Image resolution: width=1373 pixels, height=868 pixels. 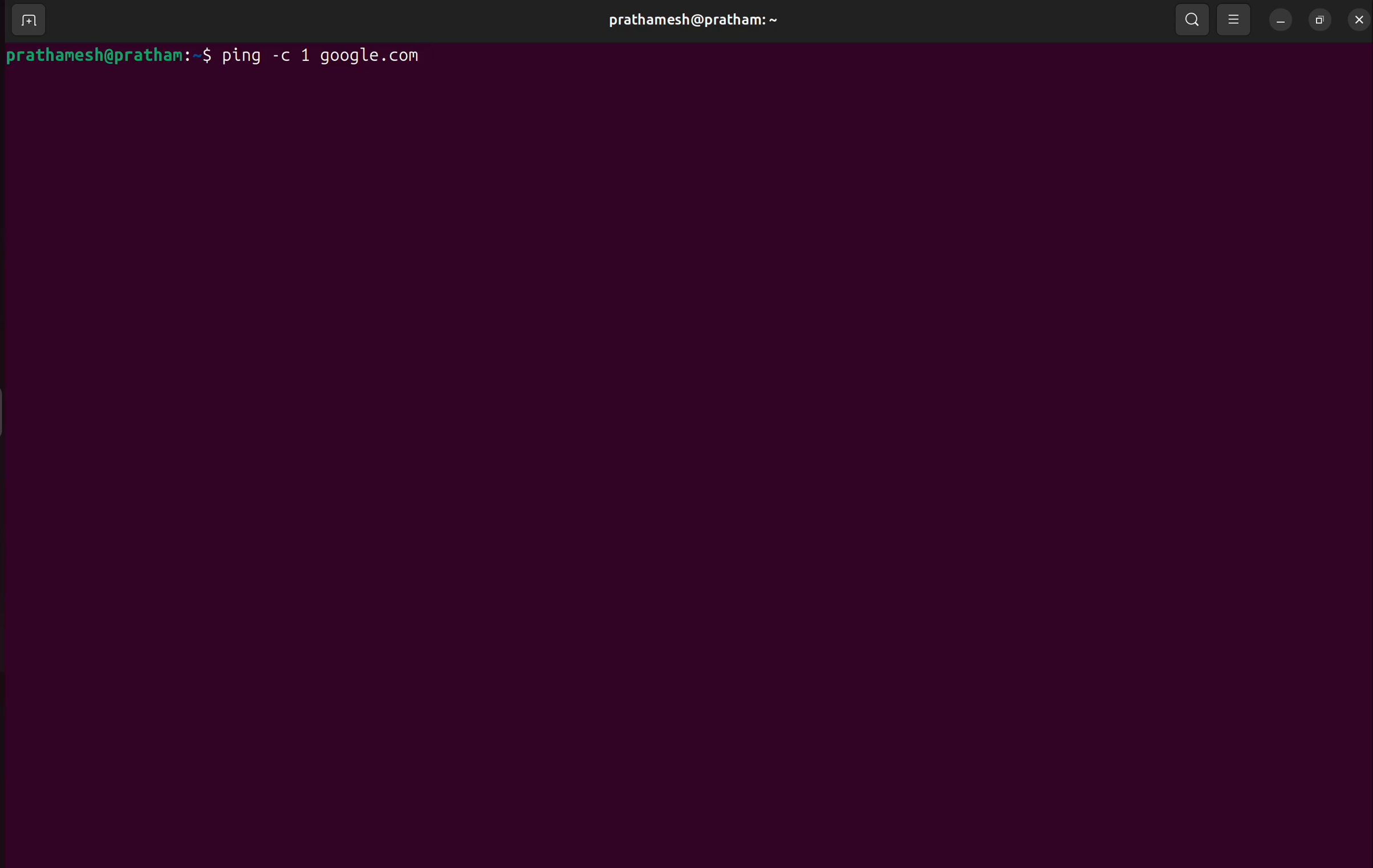 I want to click on resize, so click(x=1320, y=18).